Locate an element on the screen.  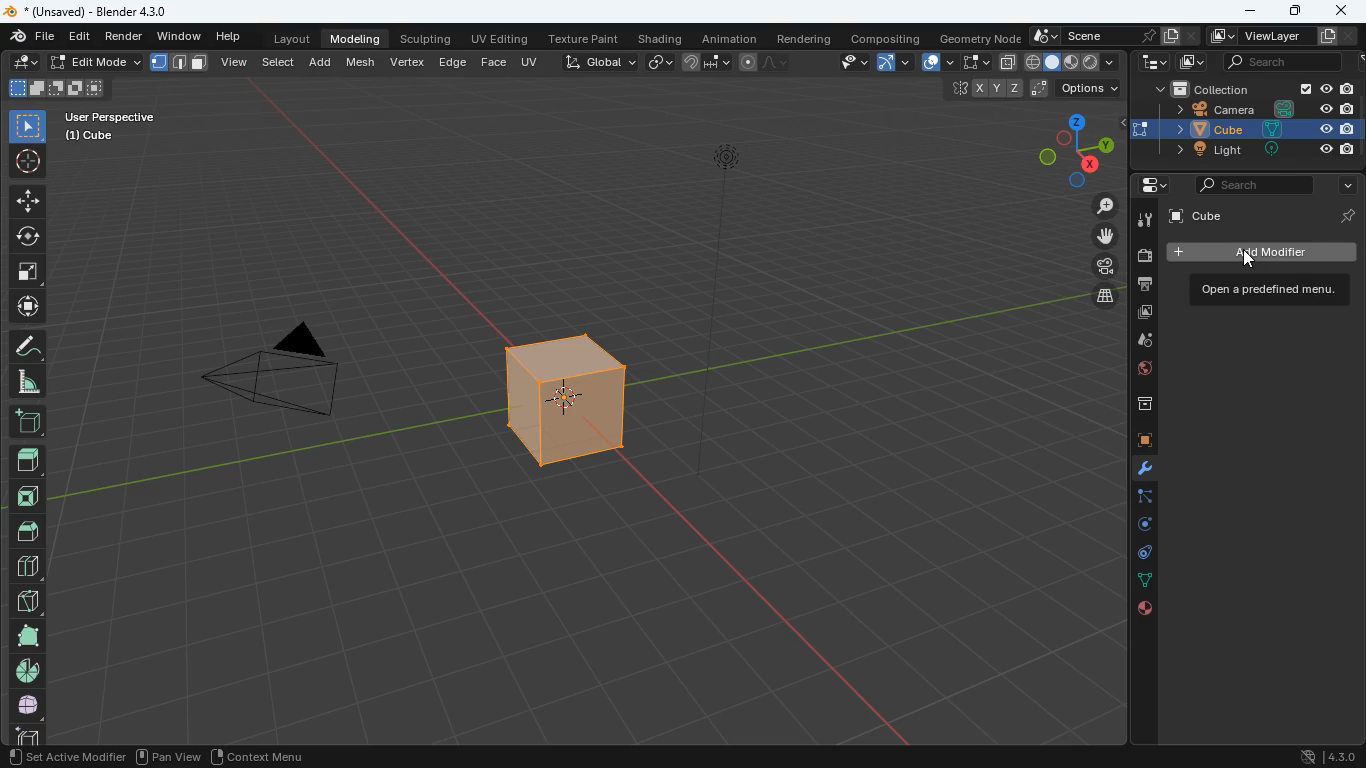
close app is located at coordinates (1341, 9).